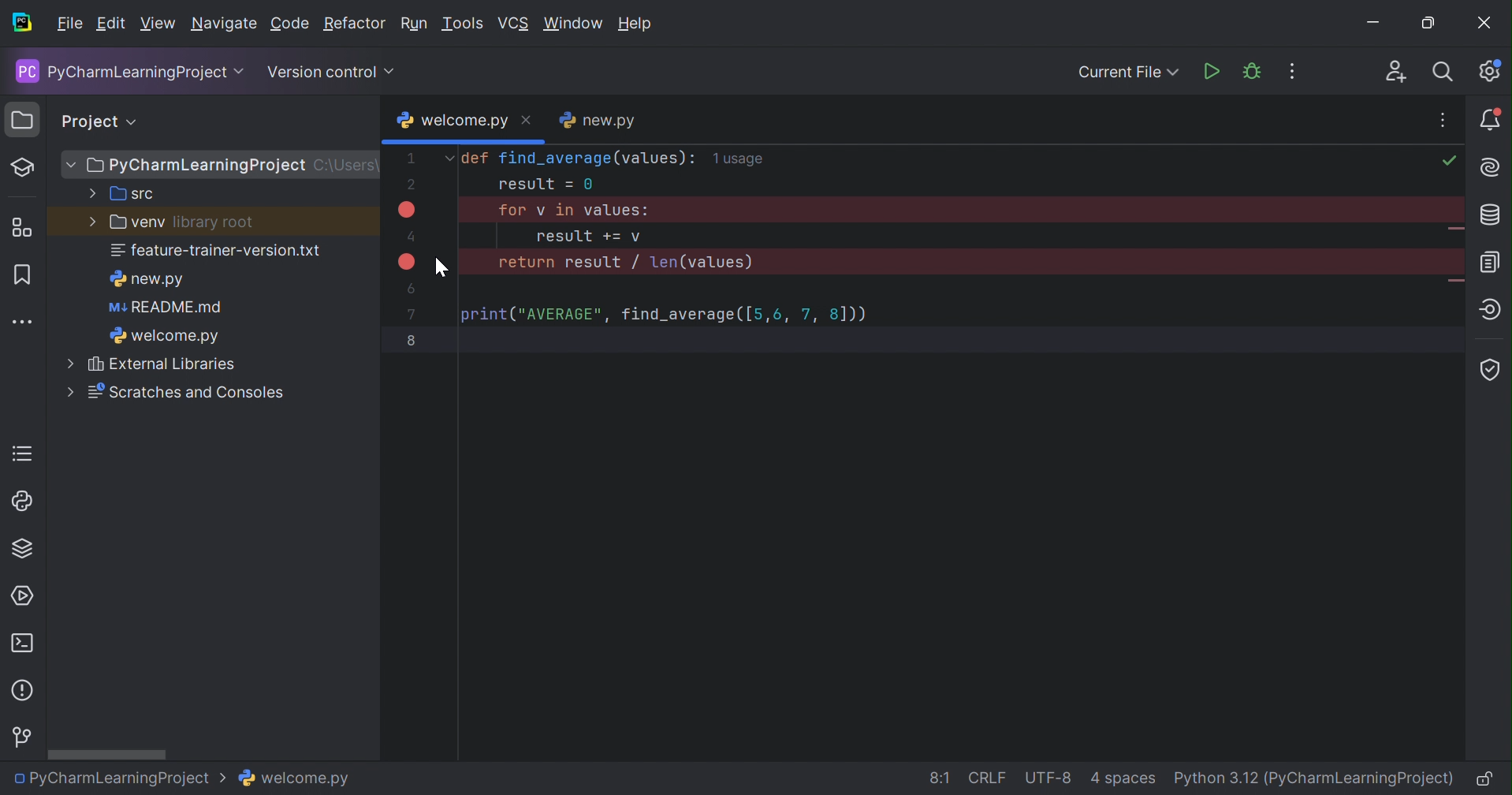 Image resolution: width=1512 pixels, height=795 pixels. I want to click on new.py, so click(151, 281).